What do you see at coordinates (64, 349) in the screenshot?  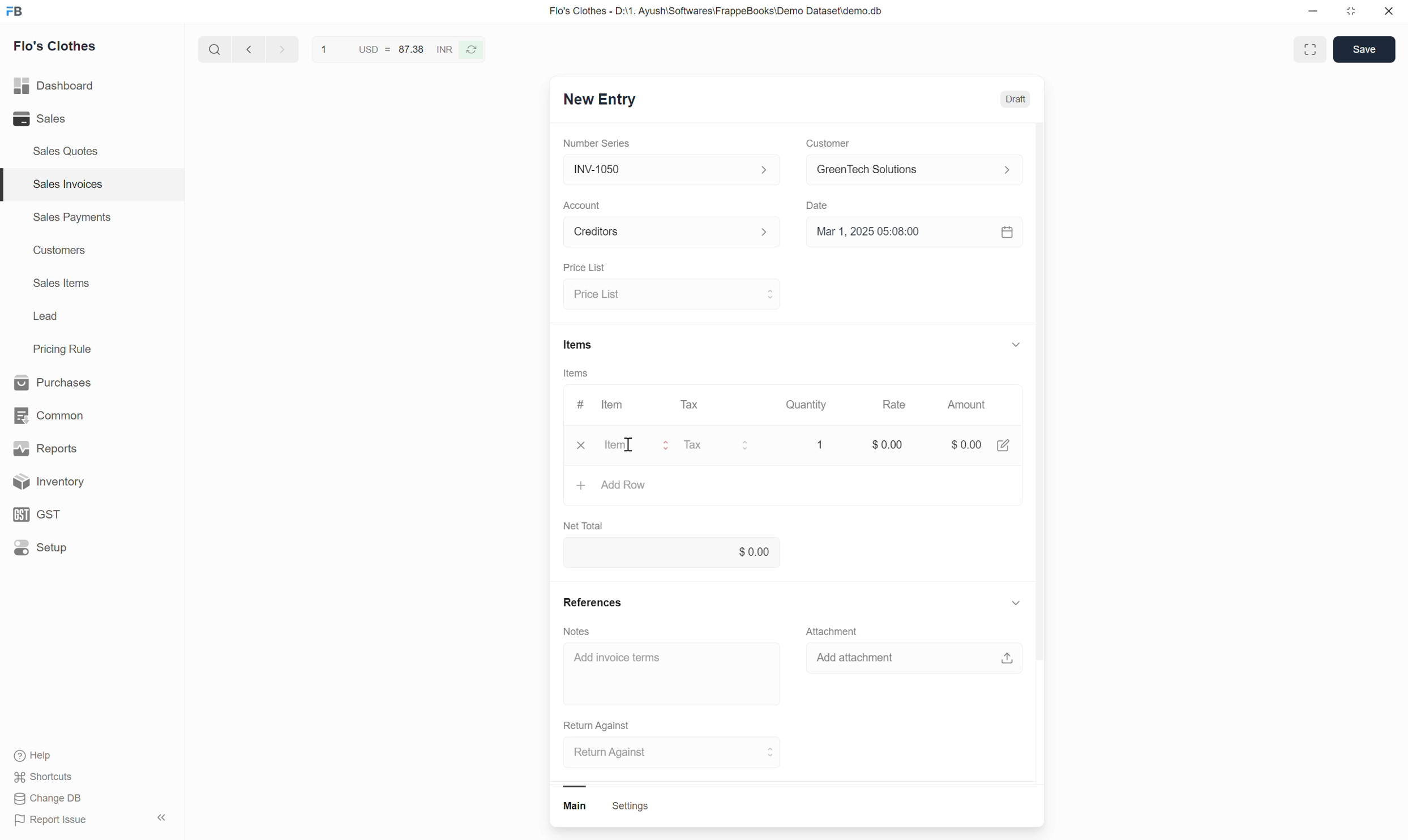 I see `Pricing Rule` at bounding box center [64, 349].